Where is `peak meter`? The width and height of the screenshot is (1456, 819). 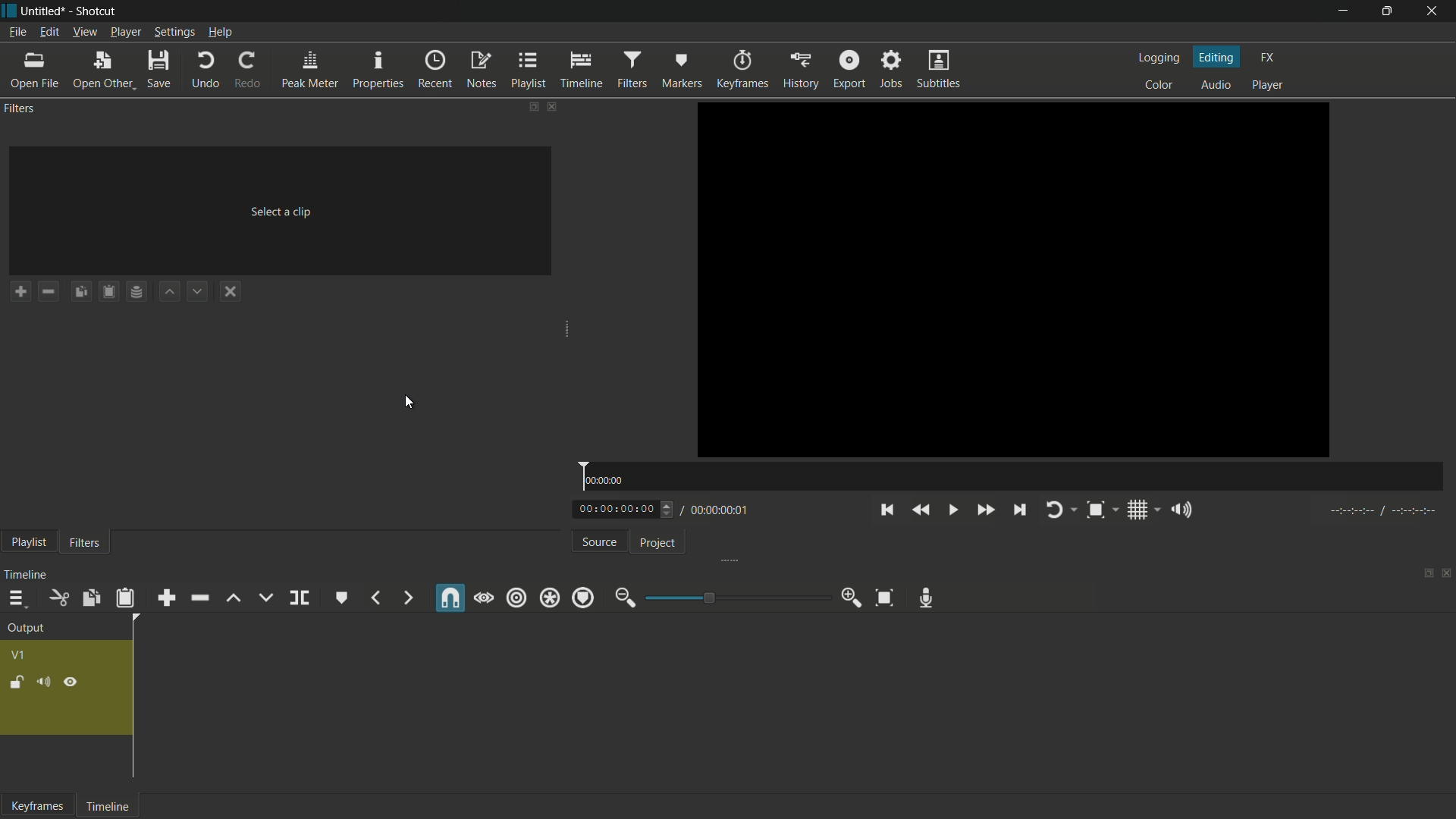 peak meter is located at coordinates (309, 71).